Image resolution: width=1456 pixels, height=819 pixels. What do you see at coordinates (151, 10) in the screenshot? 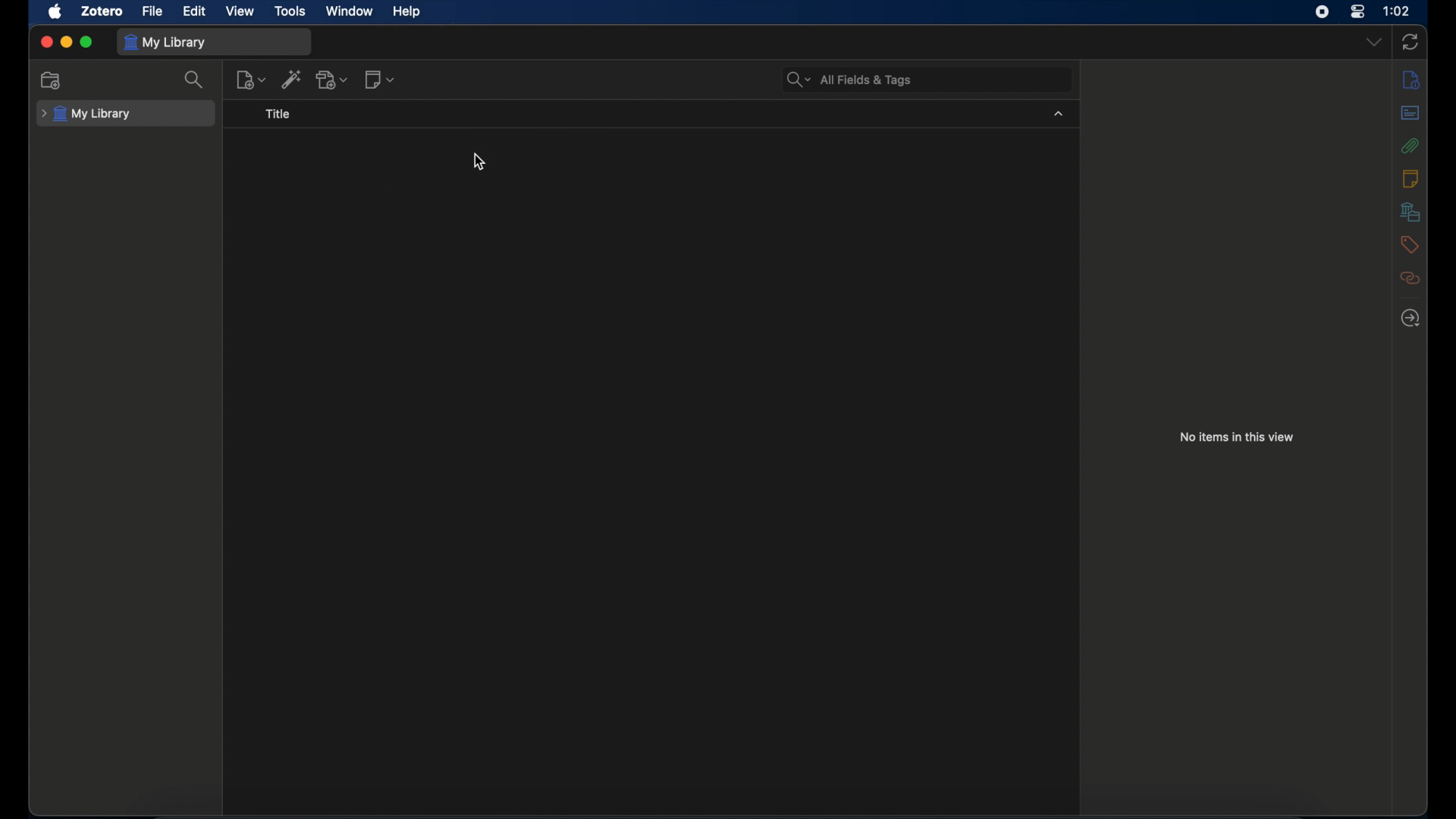
I see `file` at bounding box center [151, 10].